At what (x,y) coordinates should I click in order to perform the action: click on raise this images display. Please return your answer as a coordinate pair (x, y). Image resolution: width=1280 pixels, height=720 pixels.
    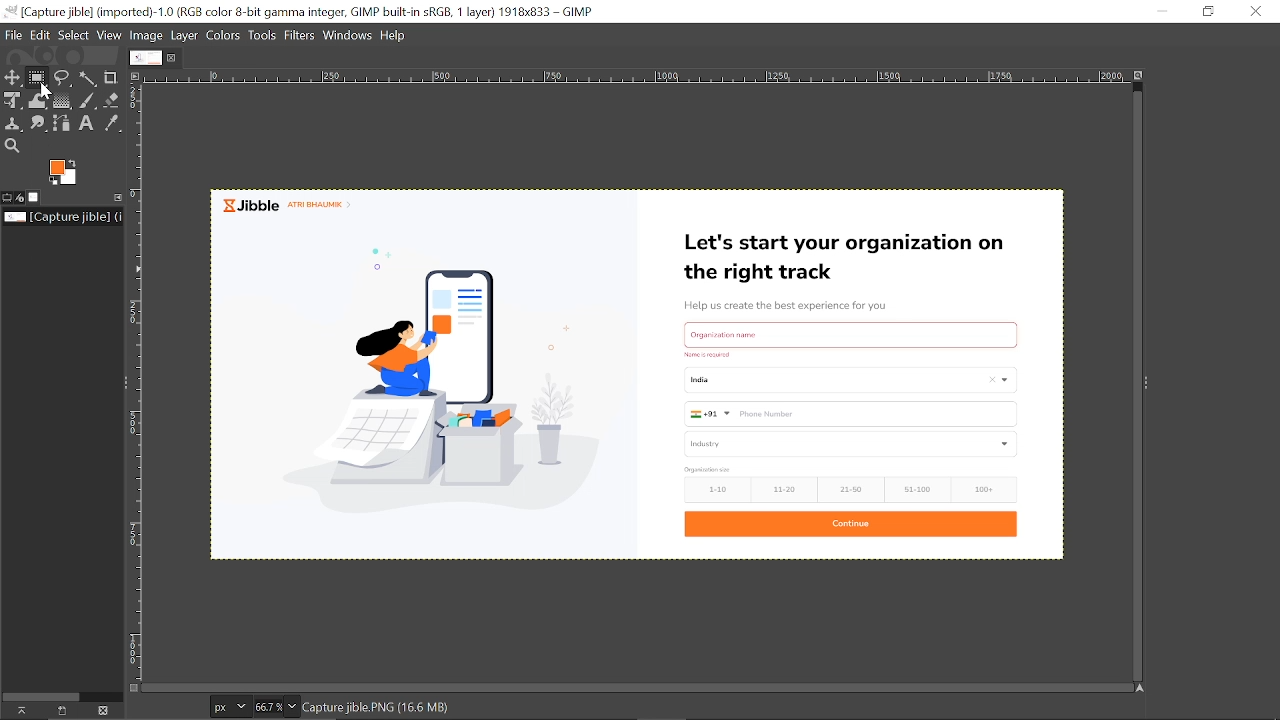
    Looking at the image, I should click on (18, 711).